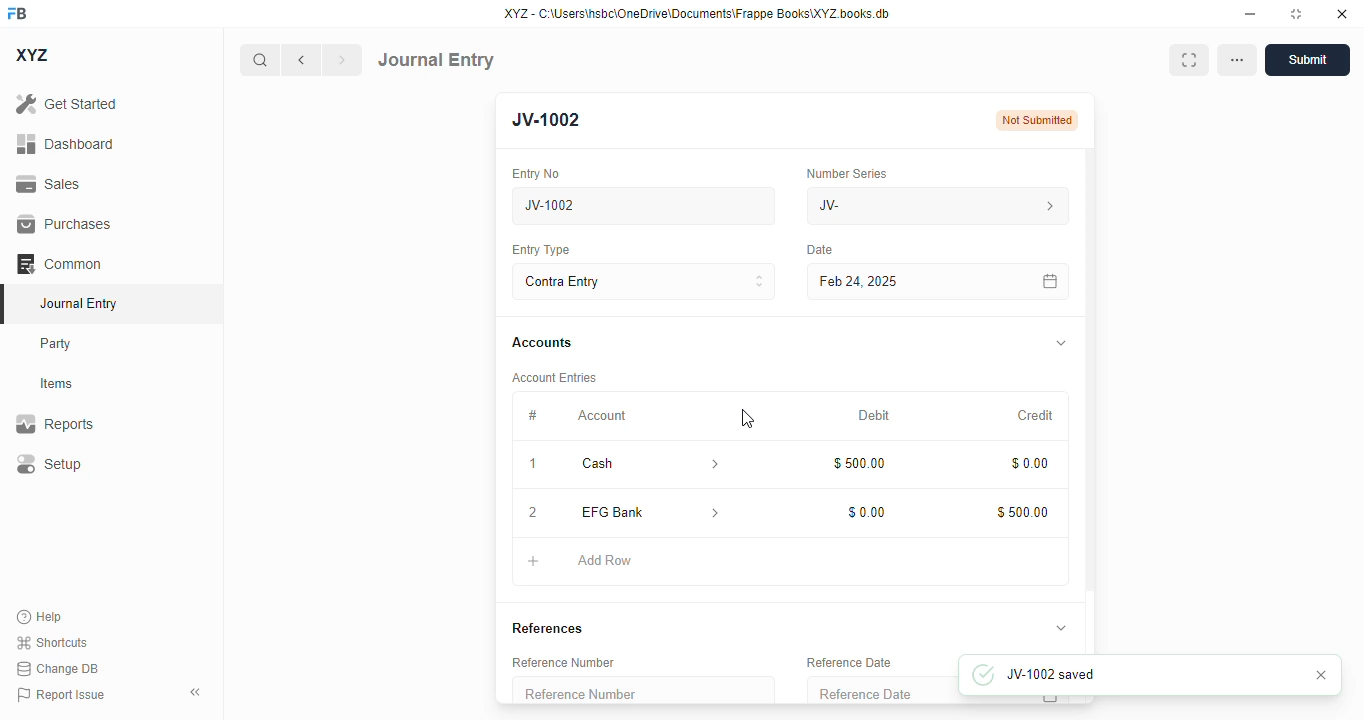 This screenshot has width=1364, height=720. I want to click on $500.00, so click(1024, 512).